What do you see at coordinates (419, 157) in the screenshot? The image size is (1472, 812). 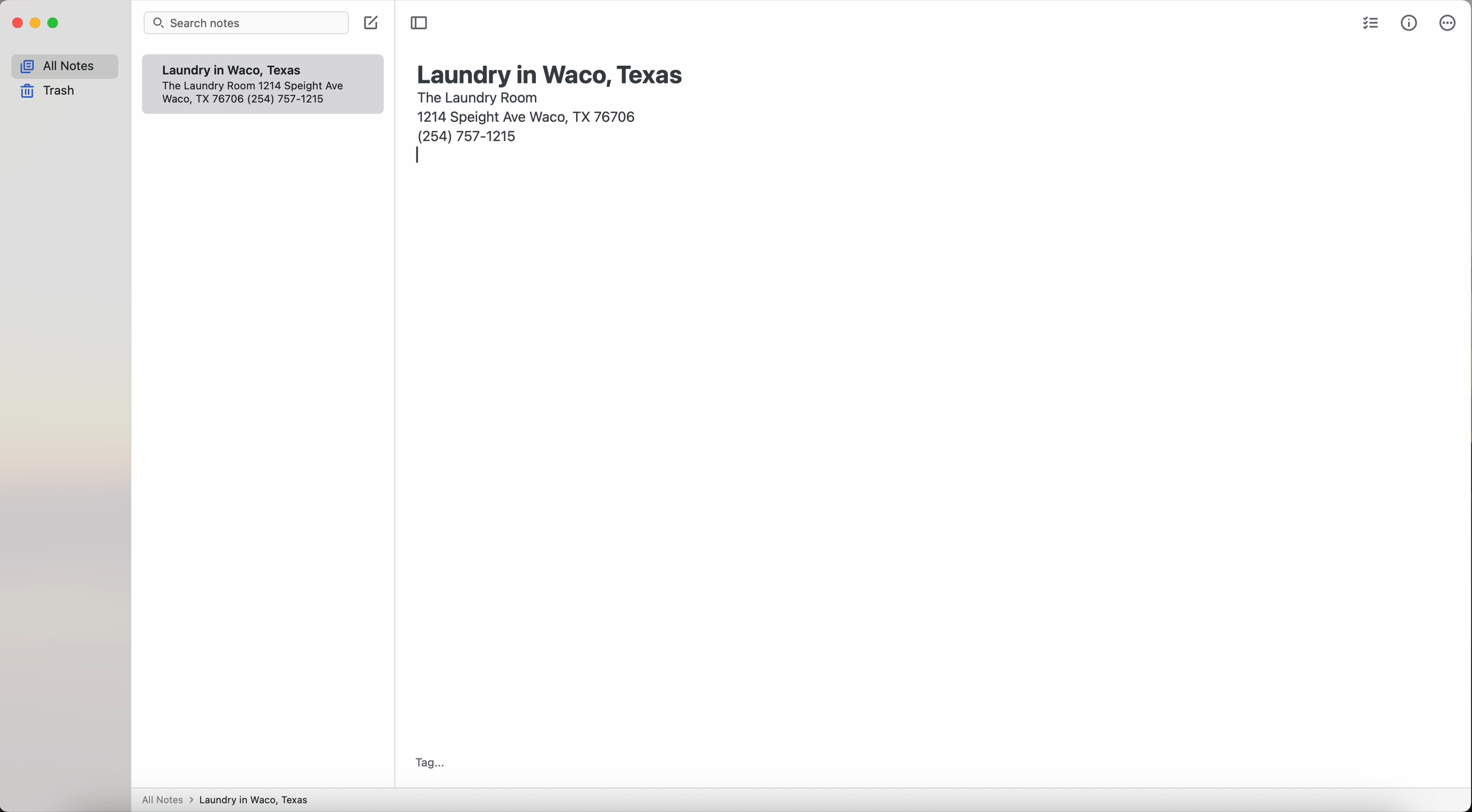 I see `enter` at bounding box center [419, 157].